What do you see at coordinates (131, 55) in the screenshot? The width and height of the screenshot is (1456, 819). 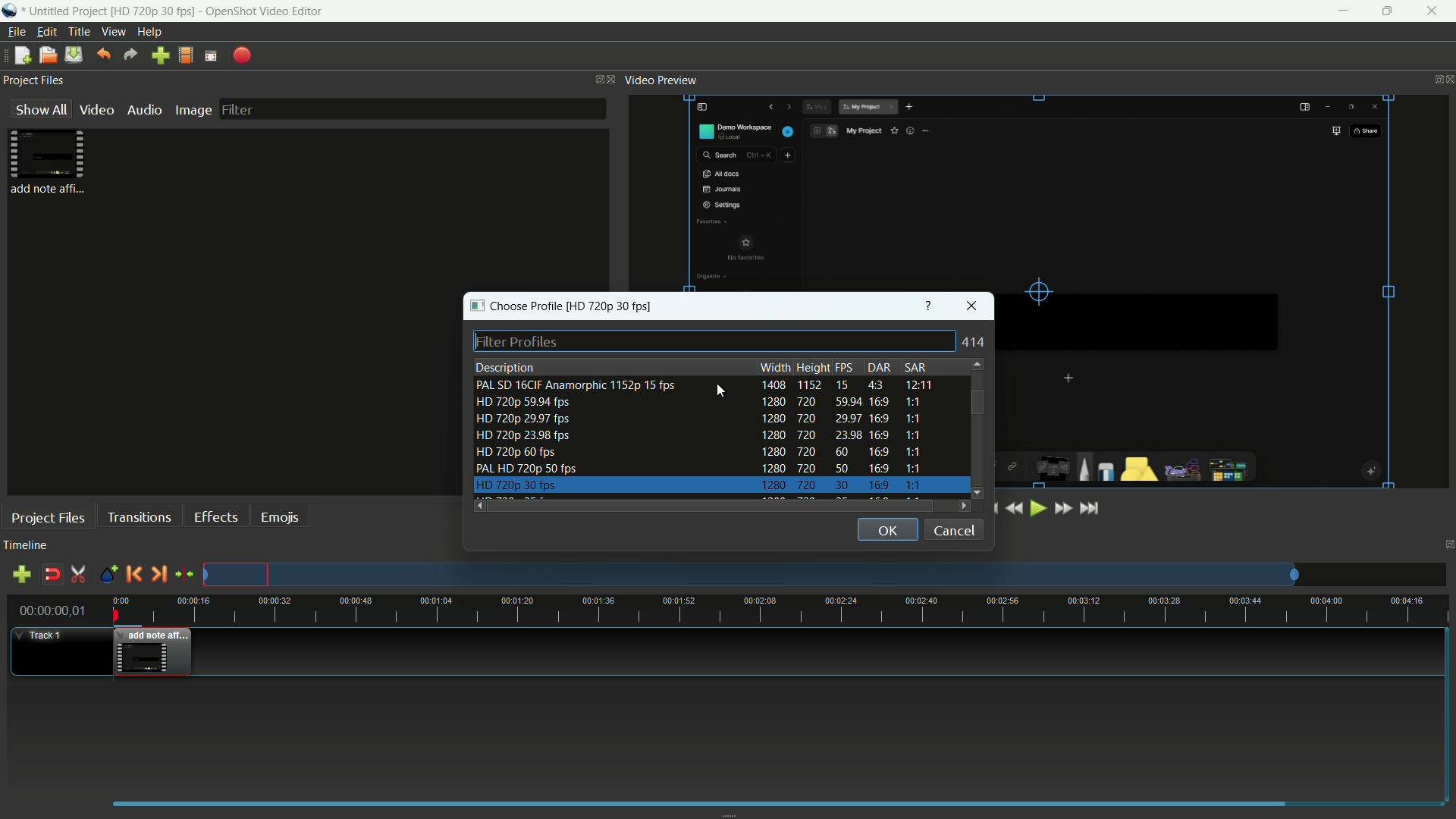 I see `redo` at bounding box center [131, 55].